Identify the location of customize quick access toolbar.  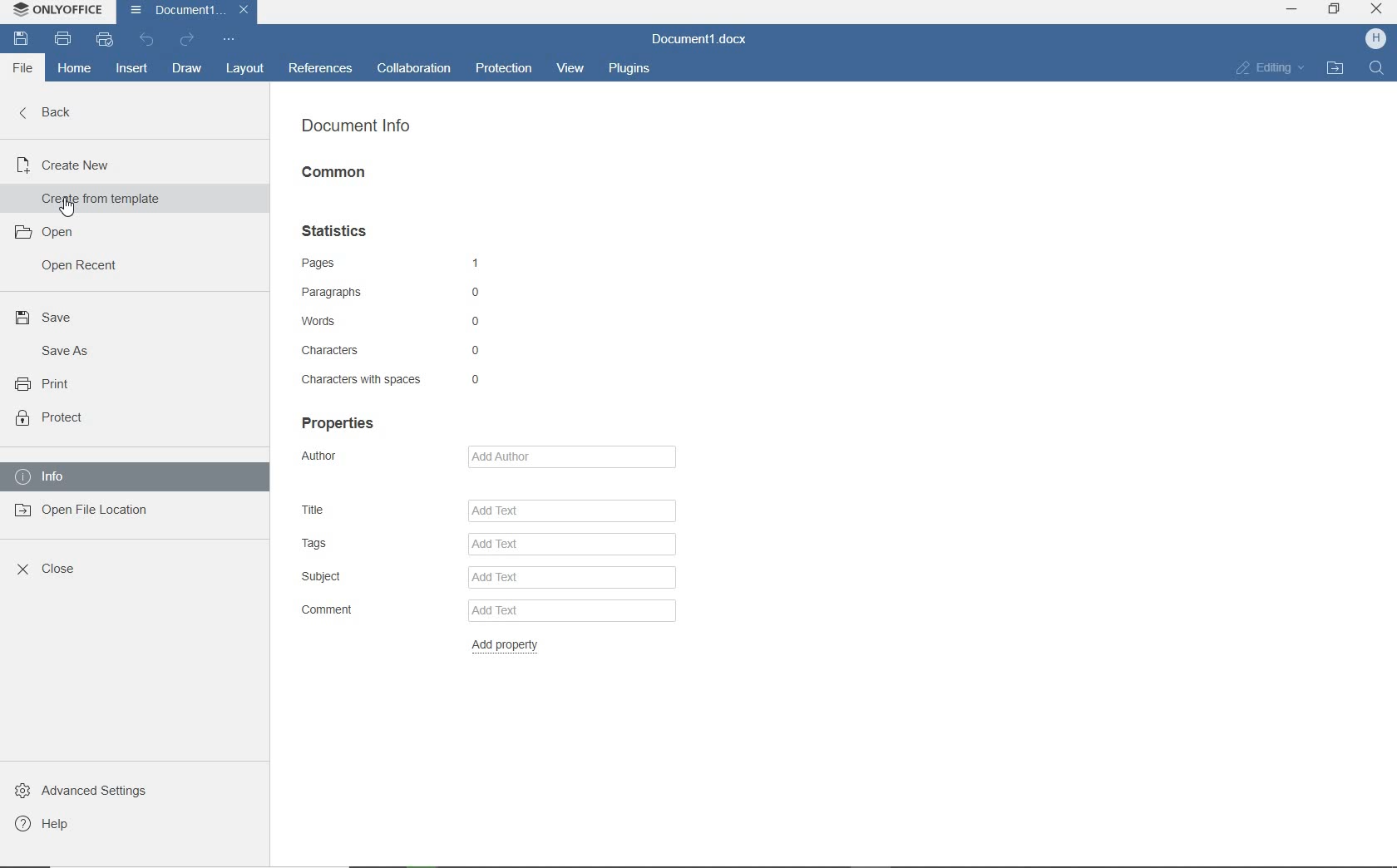
(226, 39).